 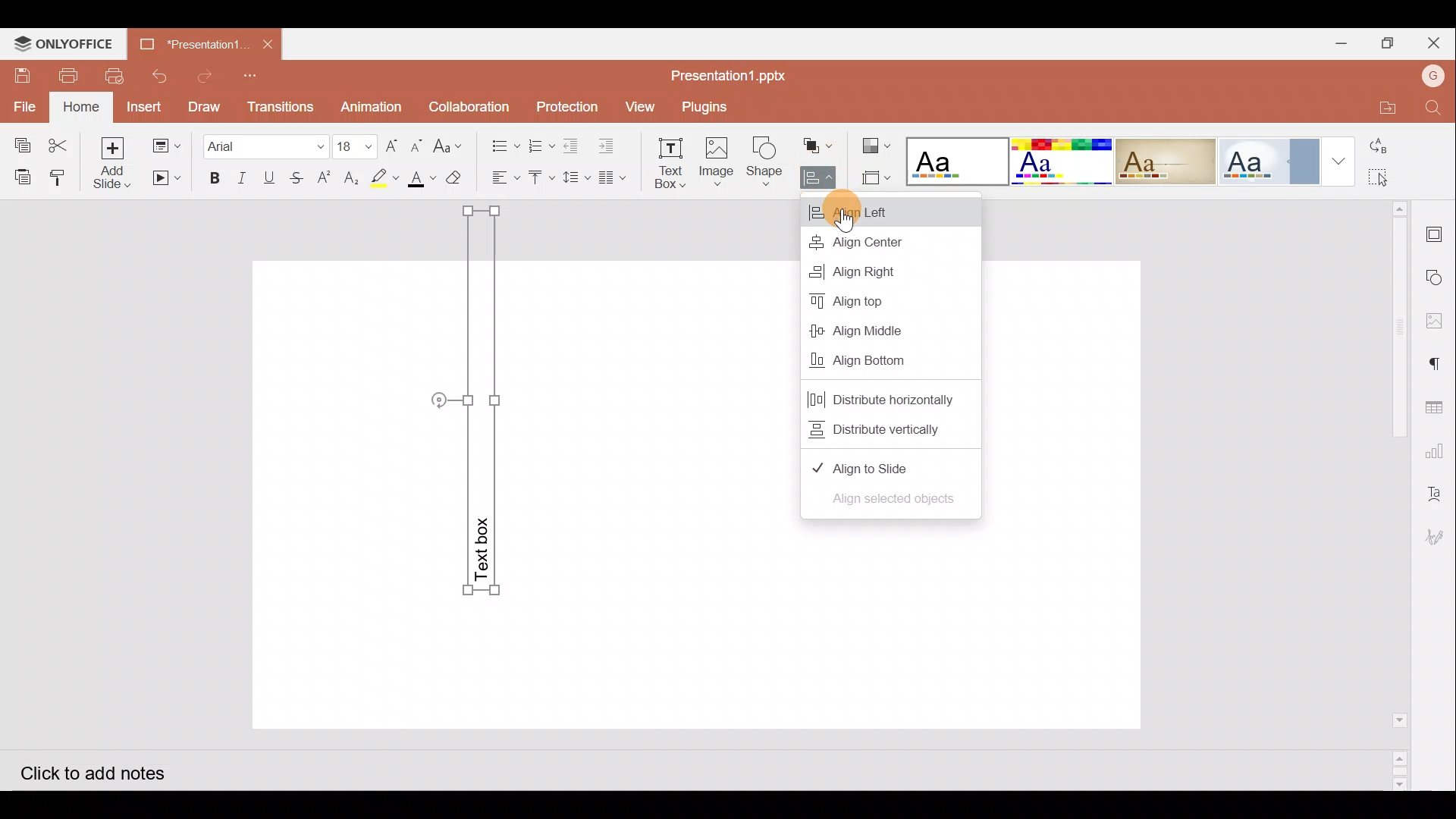 I want to click on More, so click(x=1341, y=165).